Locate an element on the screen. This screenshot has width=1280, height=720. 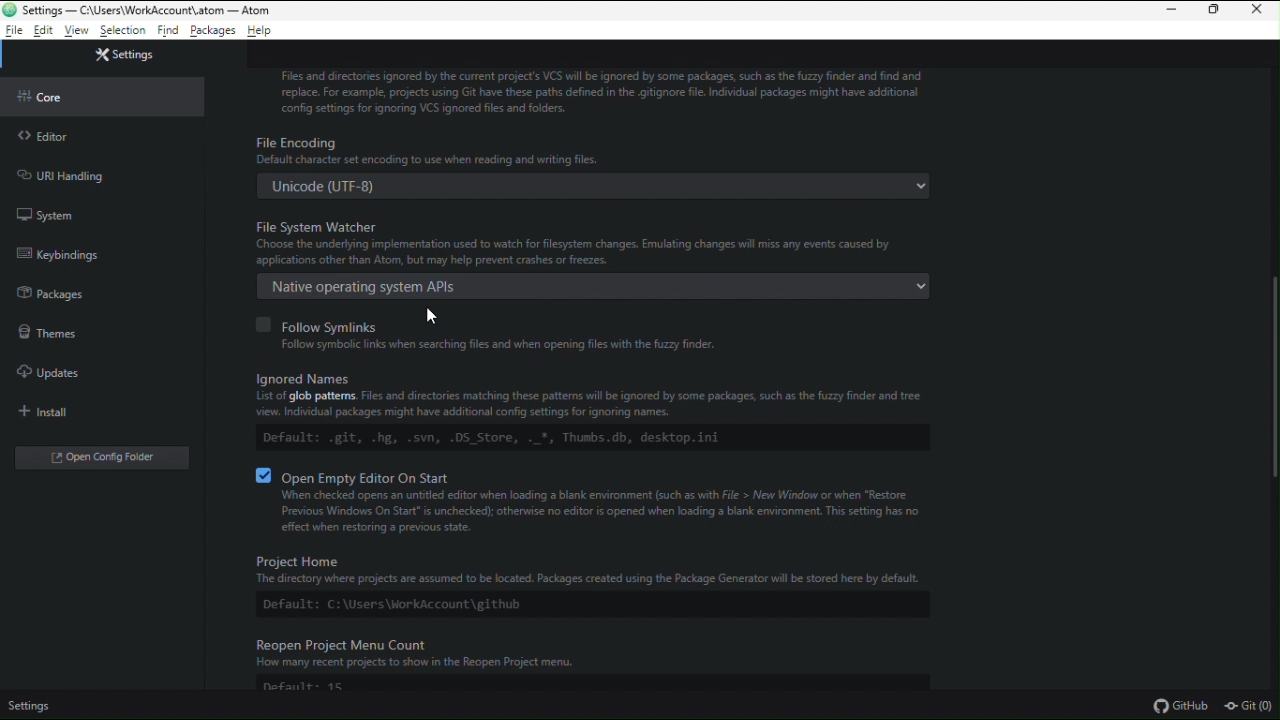
keybinding is located at coordinates (56, 253).